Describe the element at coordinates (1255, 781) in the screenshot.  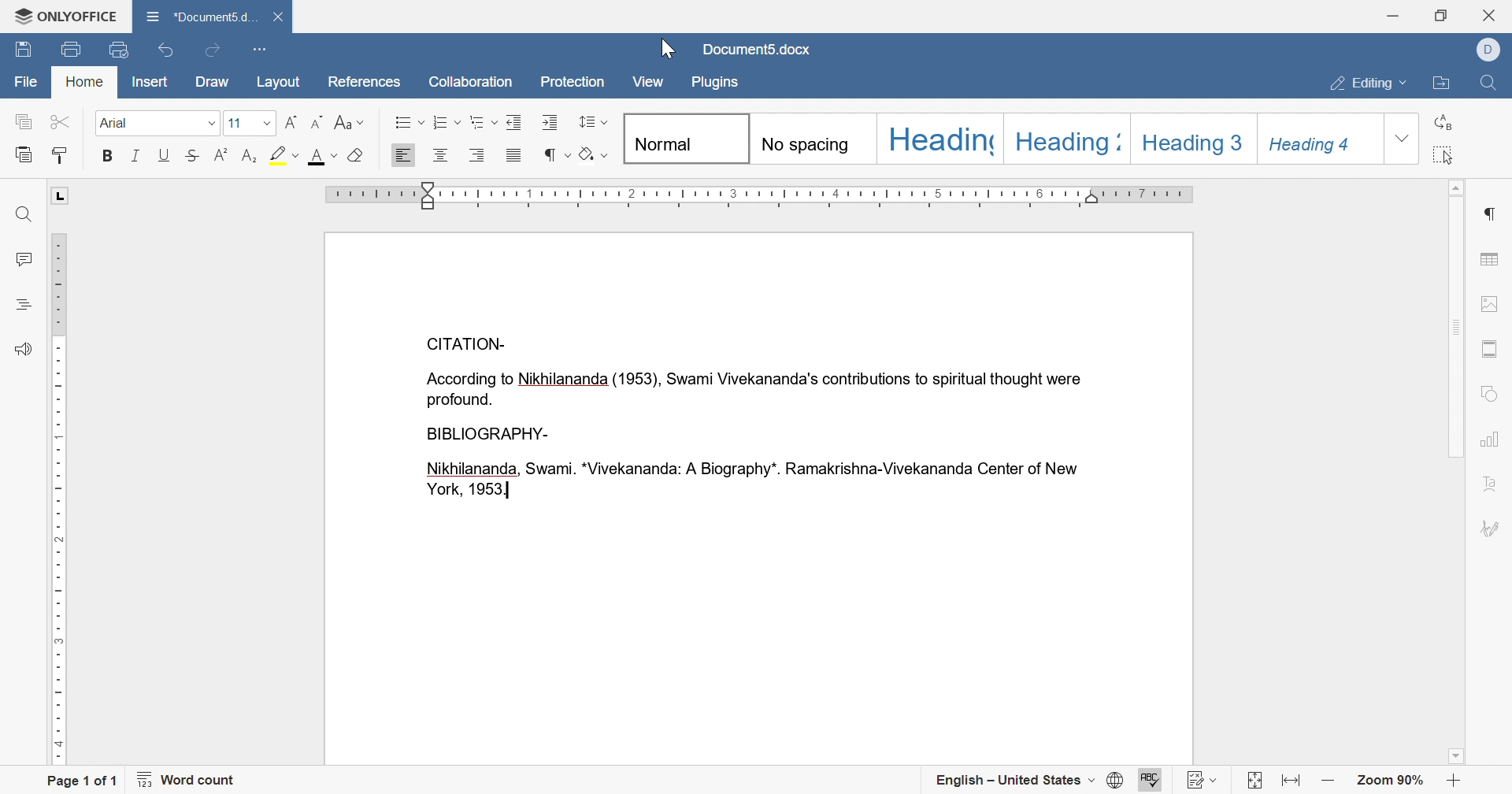
I see `fit to page` at that location.